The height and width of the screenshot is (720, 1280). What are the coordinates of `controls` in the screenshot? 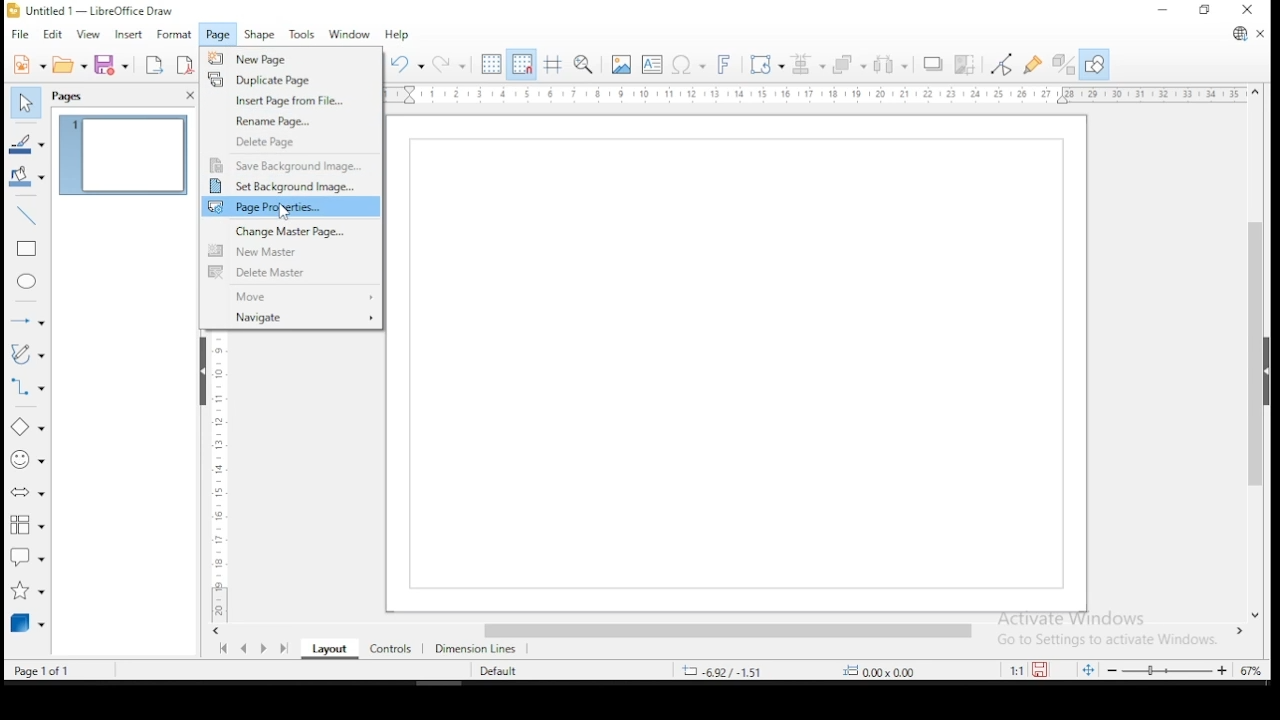 It's located at (389, 650).